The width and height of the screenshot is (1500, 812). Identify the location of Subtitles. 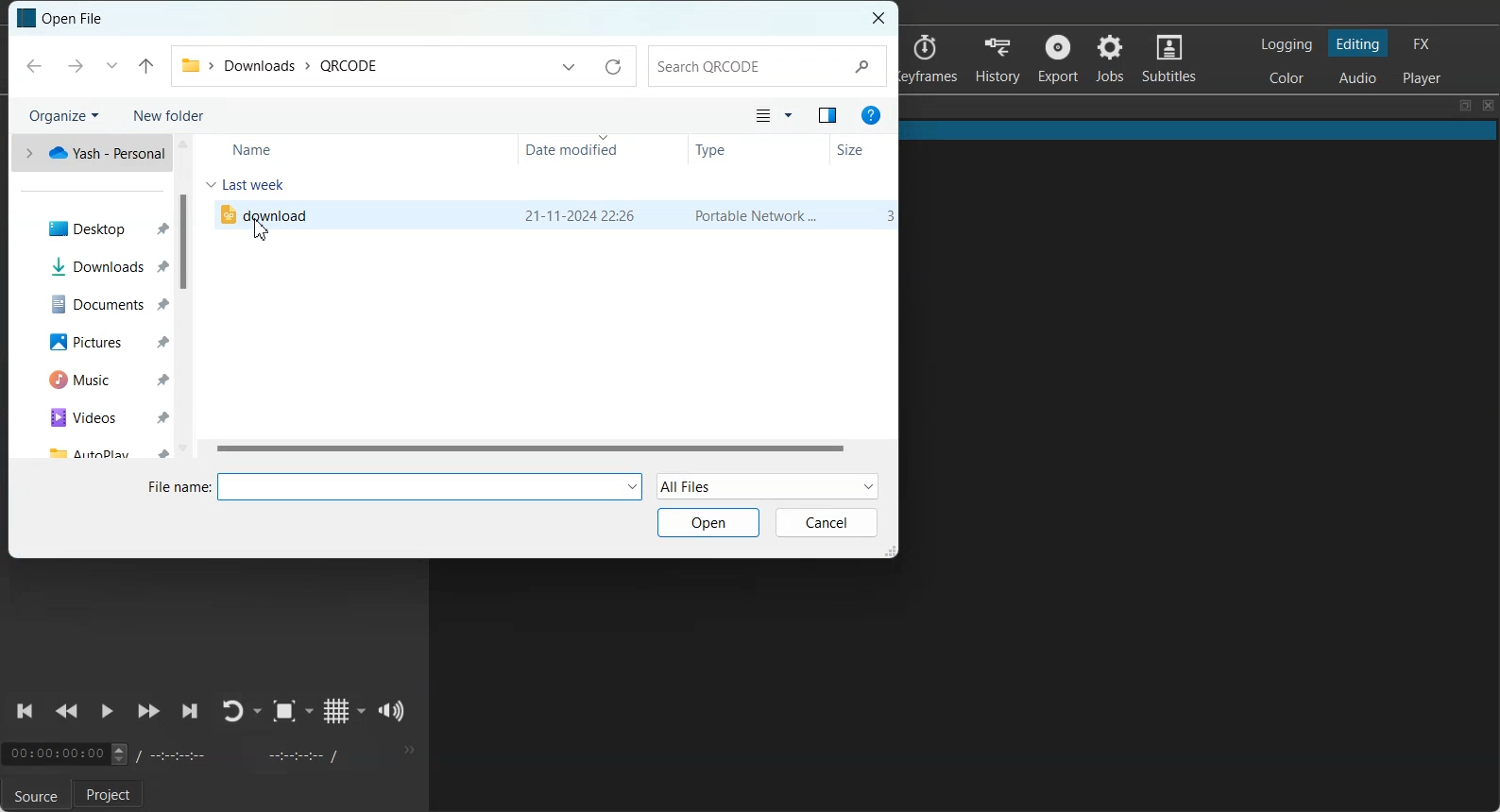
(1169, 57).